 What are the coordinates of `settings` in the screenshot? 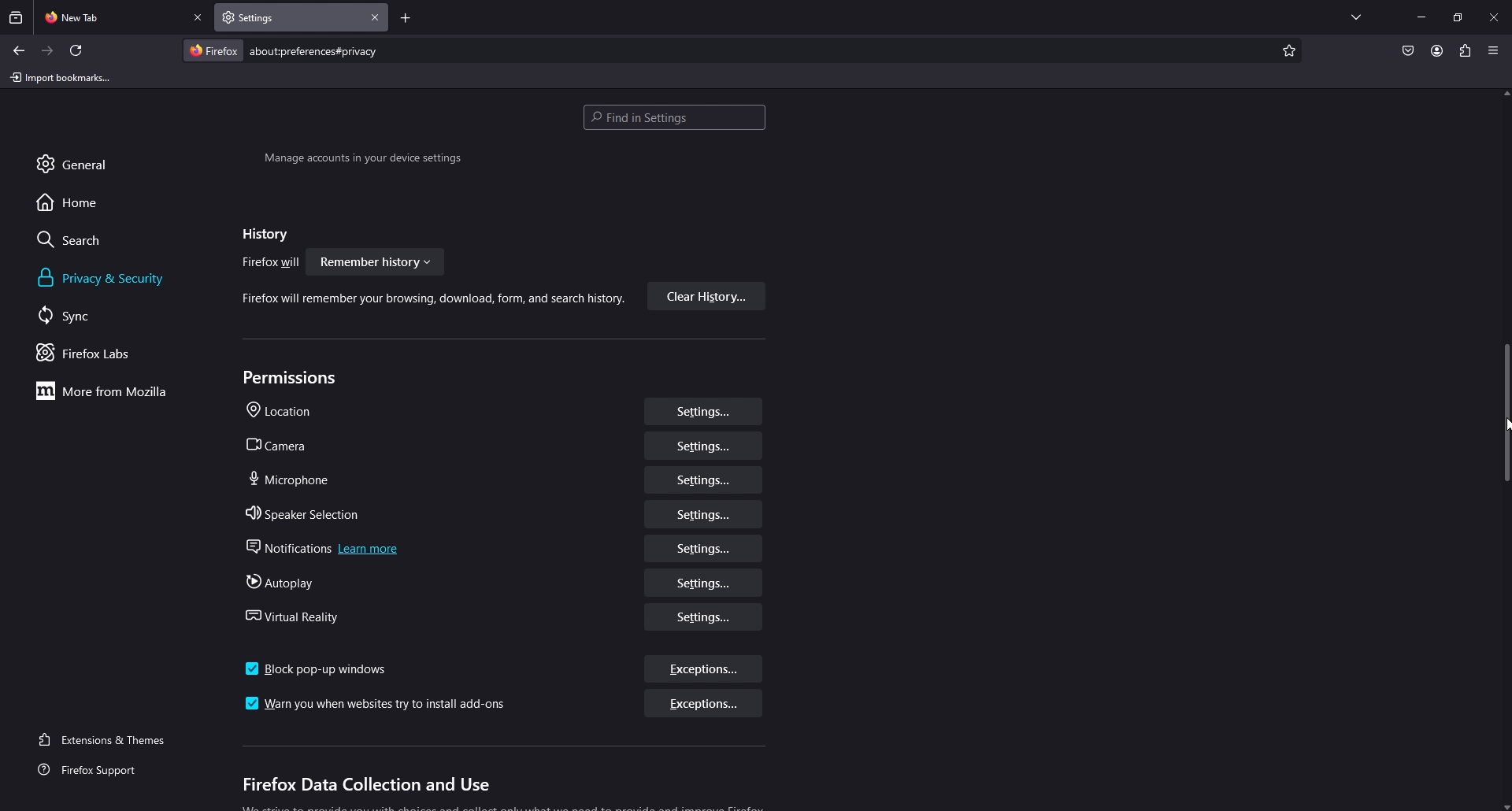 It's located at (706, 549).